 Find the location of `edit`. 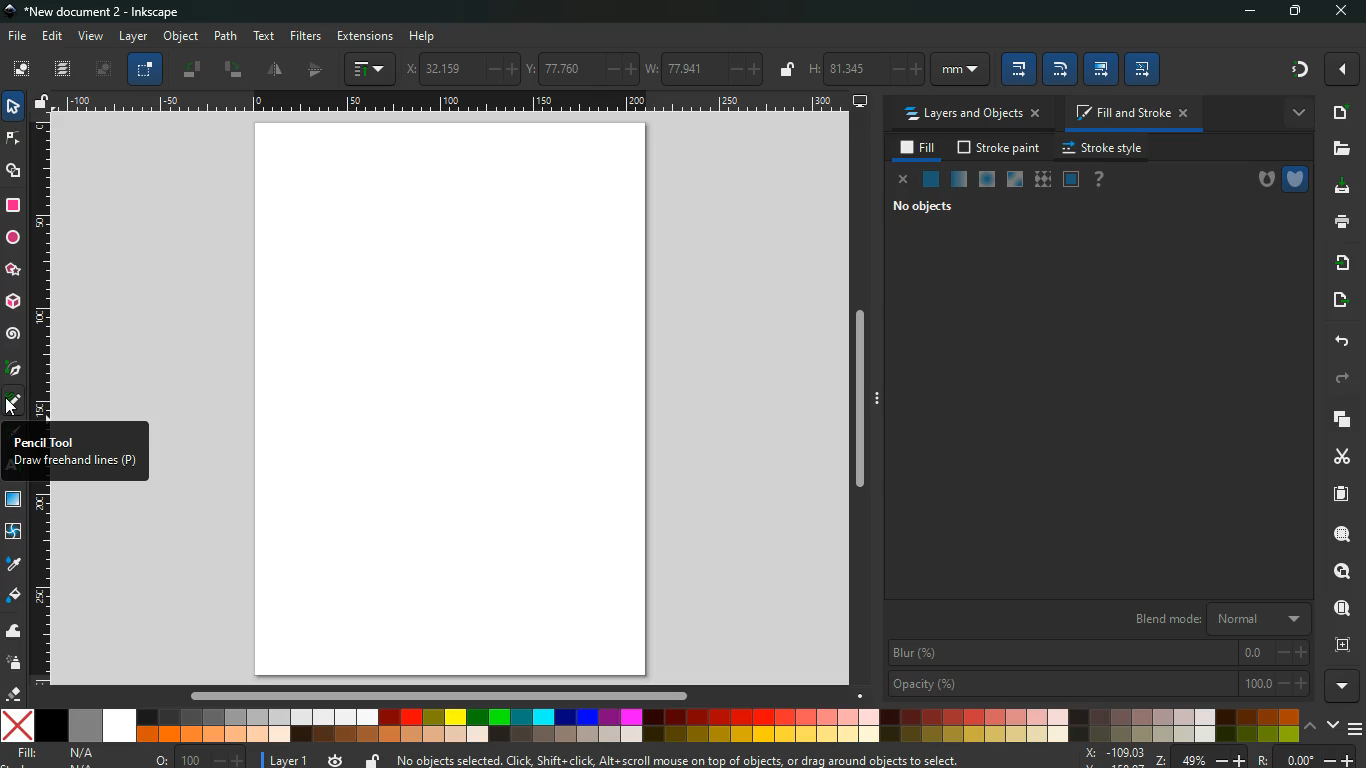

edit is located at coordinates (1145, 69).